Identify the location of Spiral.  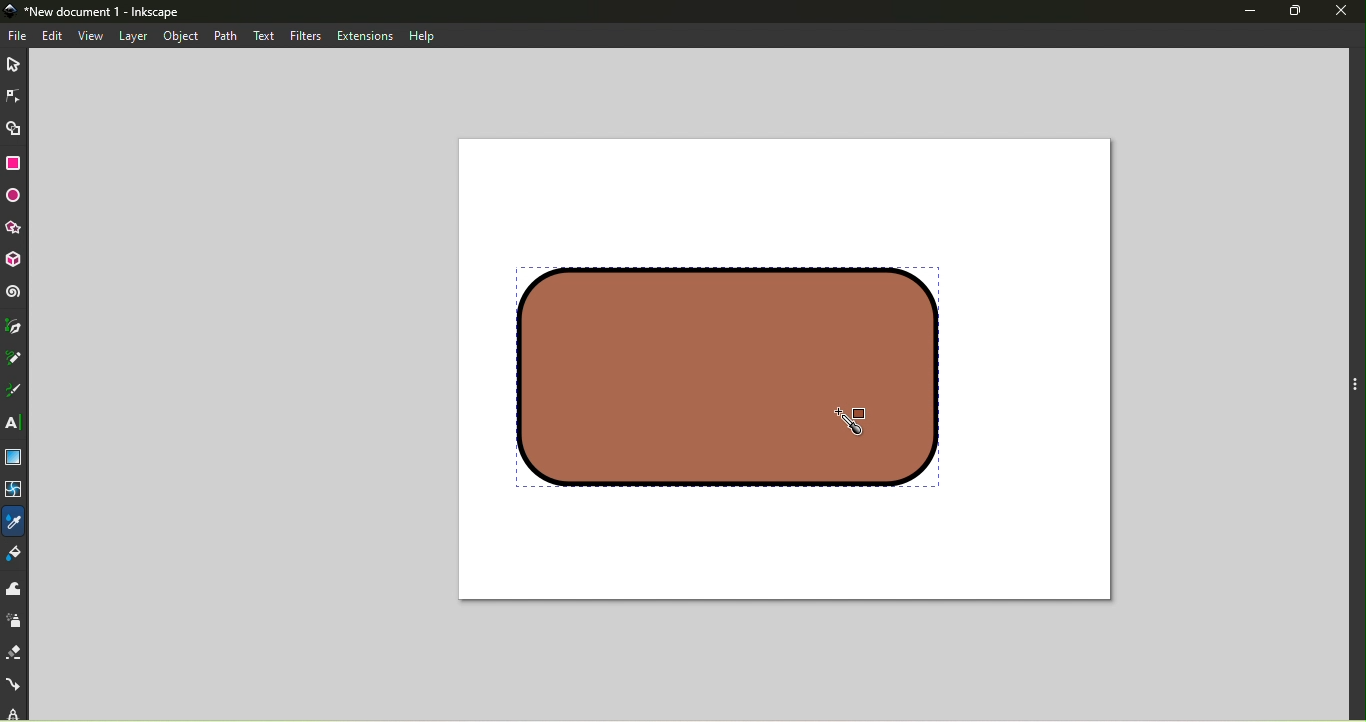
(16, 293).